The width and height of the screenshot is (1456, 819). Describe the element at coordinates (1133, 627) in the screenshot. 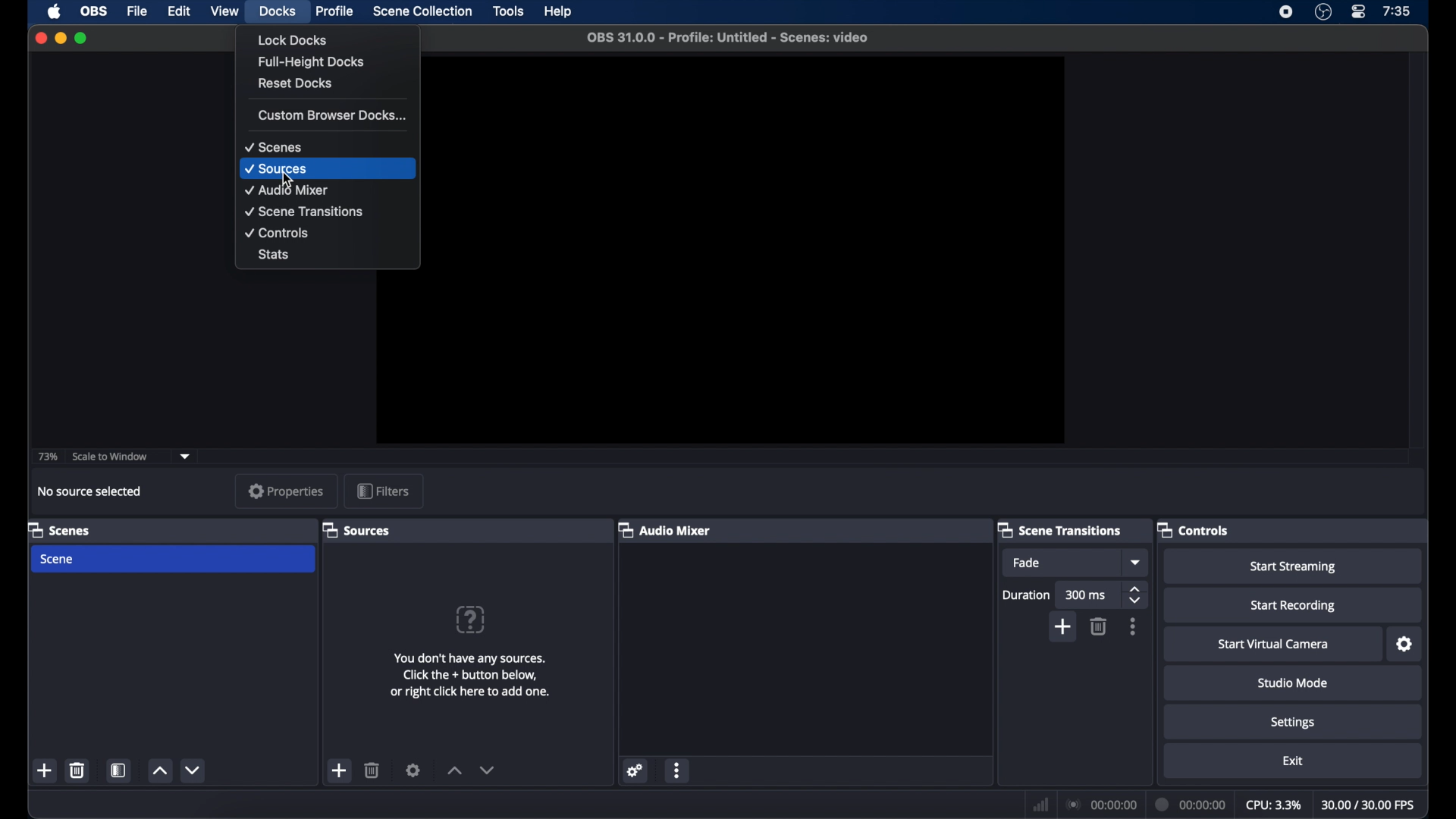

I see `more options` at that location.